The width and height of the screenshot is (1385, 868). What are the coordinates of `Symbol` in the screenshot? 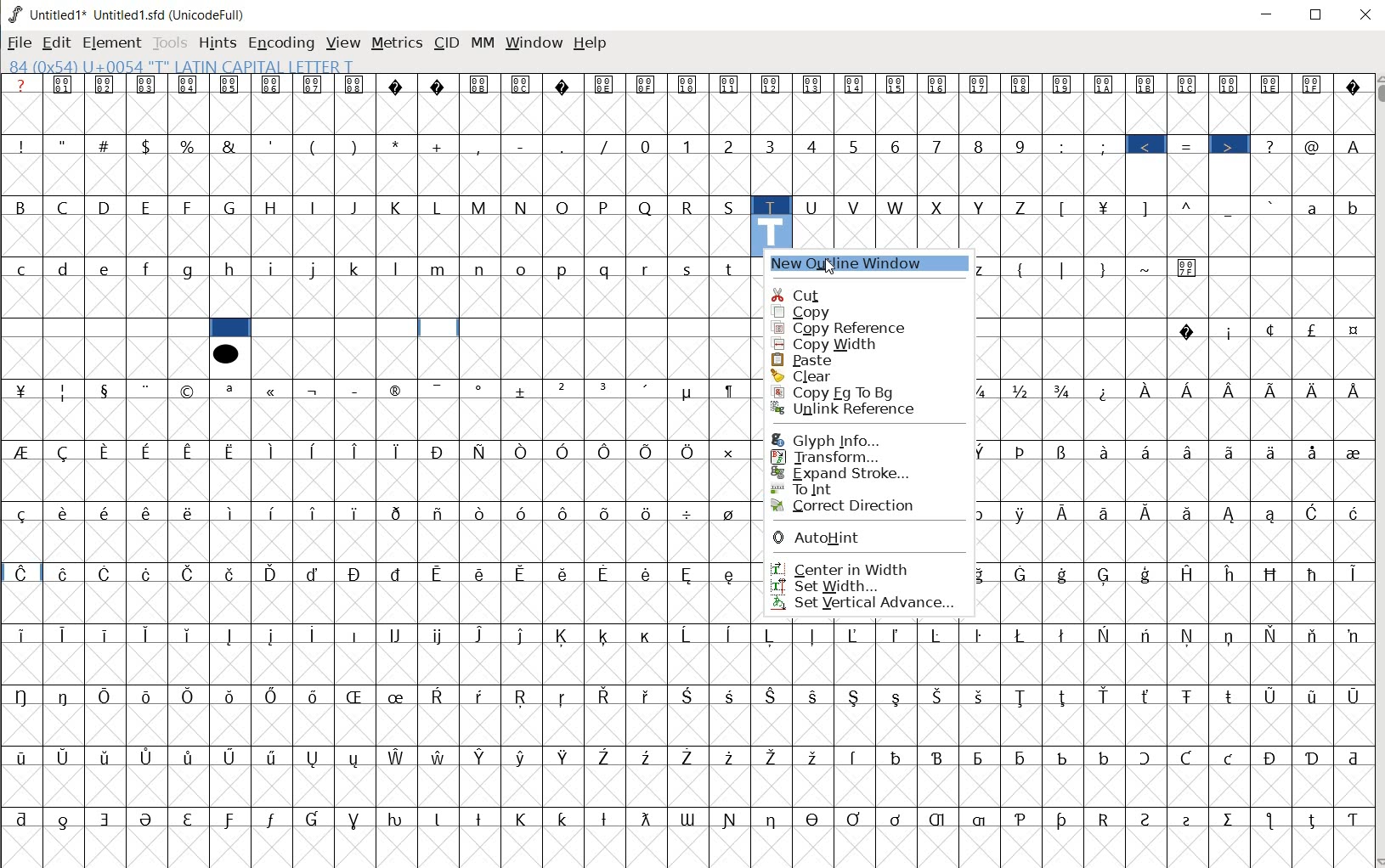 It's located at (1188, 332).